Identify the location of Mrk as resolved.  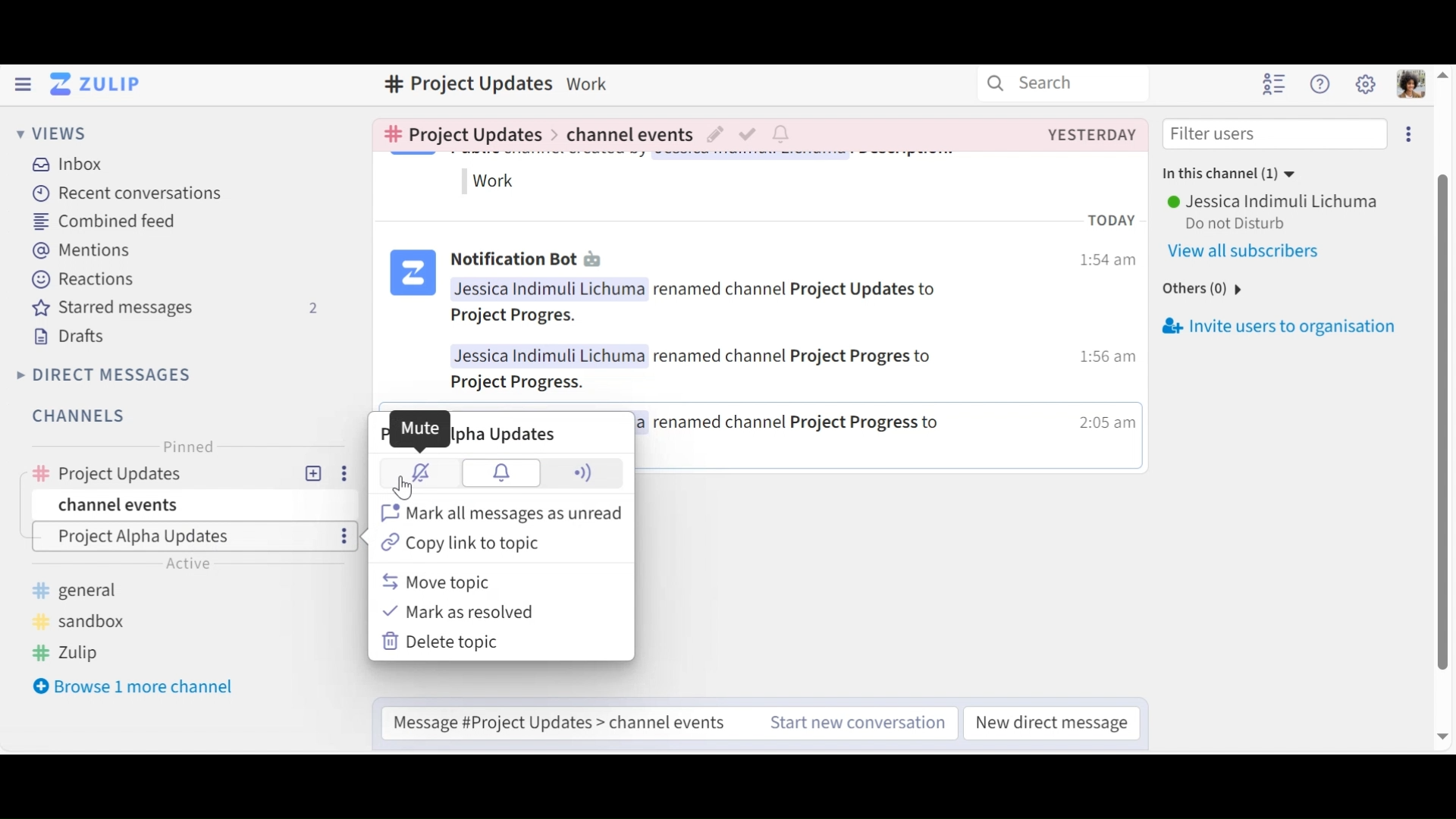
(463, 612).